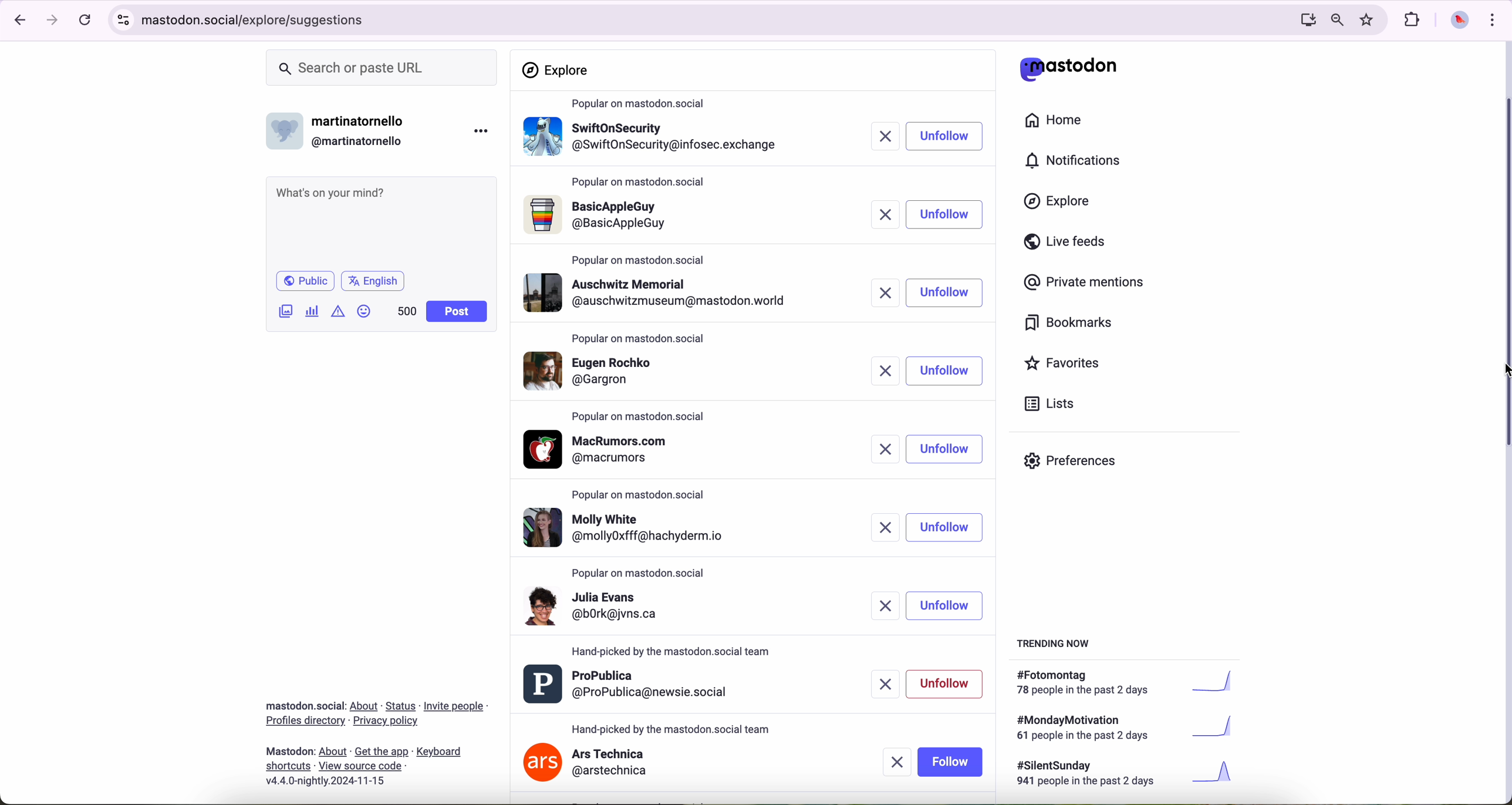  I want to click on profile, so click(626, 527).